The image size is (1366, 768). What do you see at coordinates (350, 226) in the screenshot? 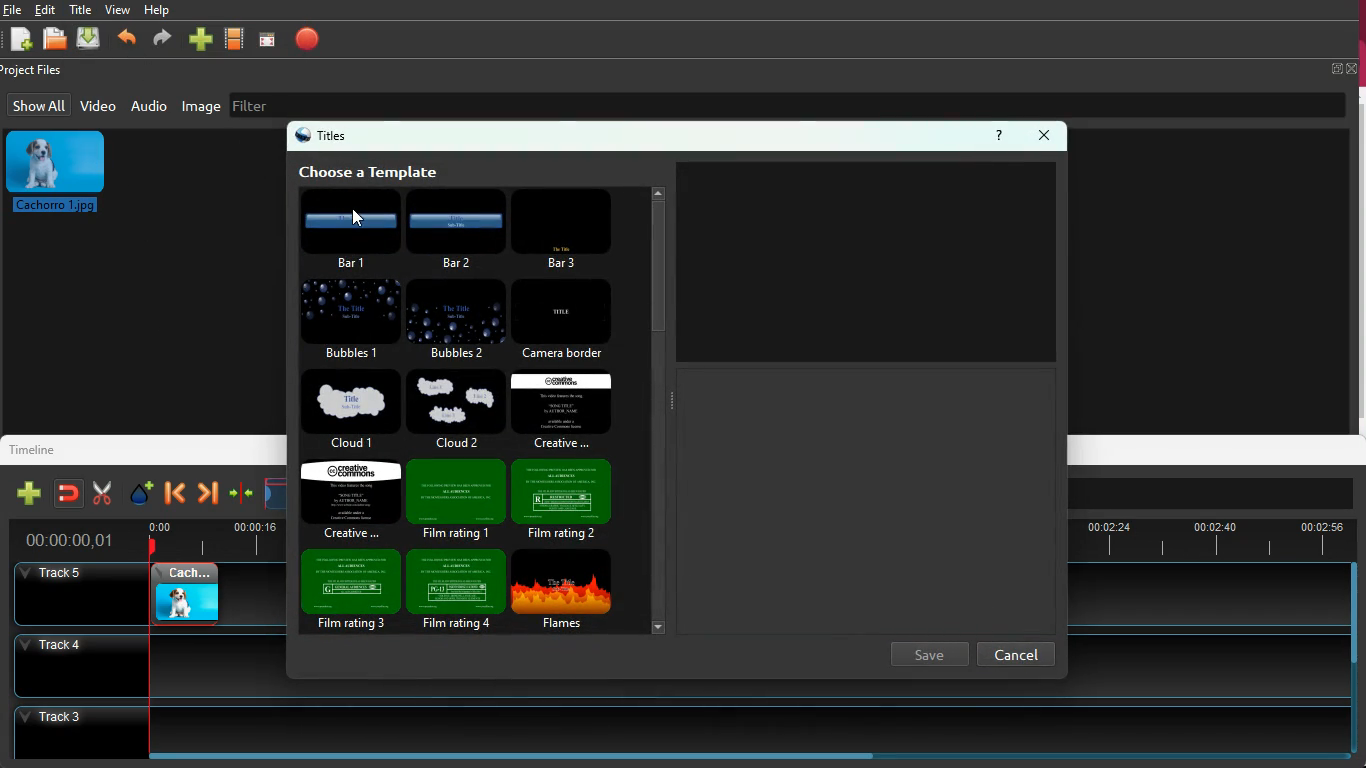
I see `bar 1` at bounding box center [350, 226].